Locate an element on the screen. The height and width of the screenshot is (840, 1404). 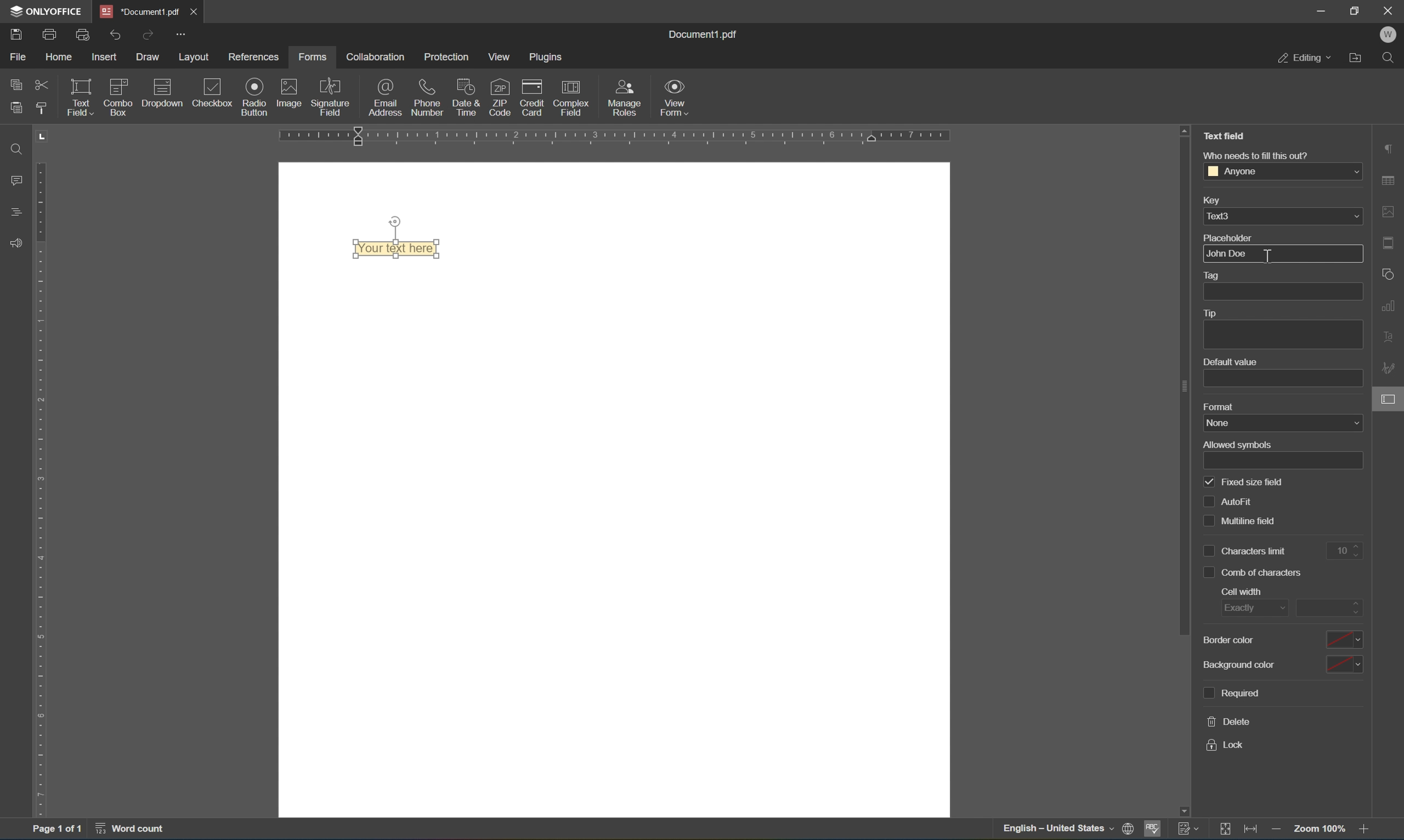
checkbox is located at coordinates (215, 91).